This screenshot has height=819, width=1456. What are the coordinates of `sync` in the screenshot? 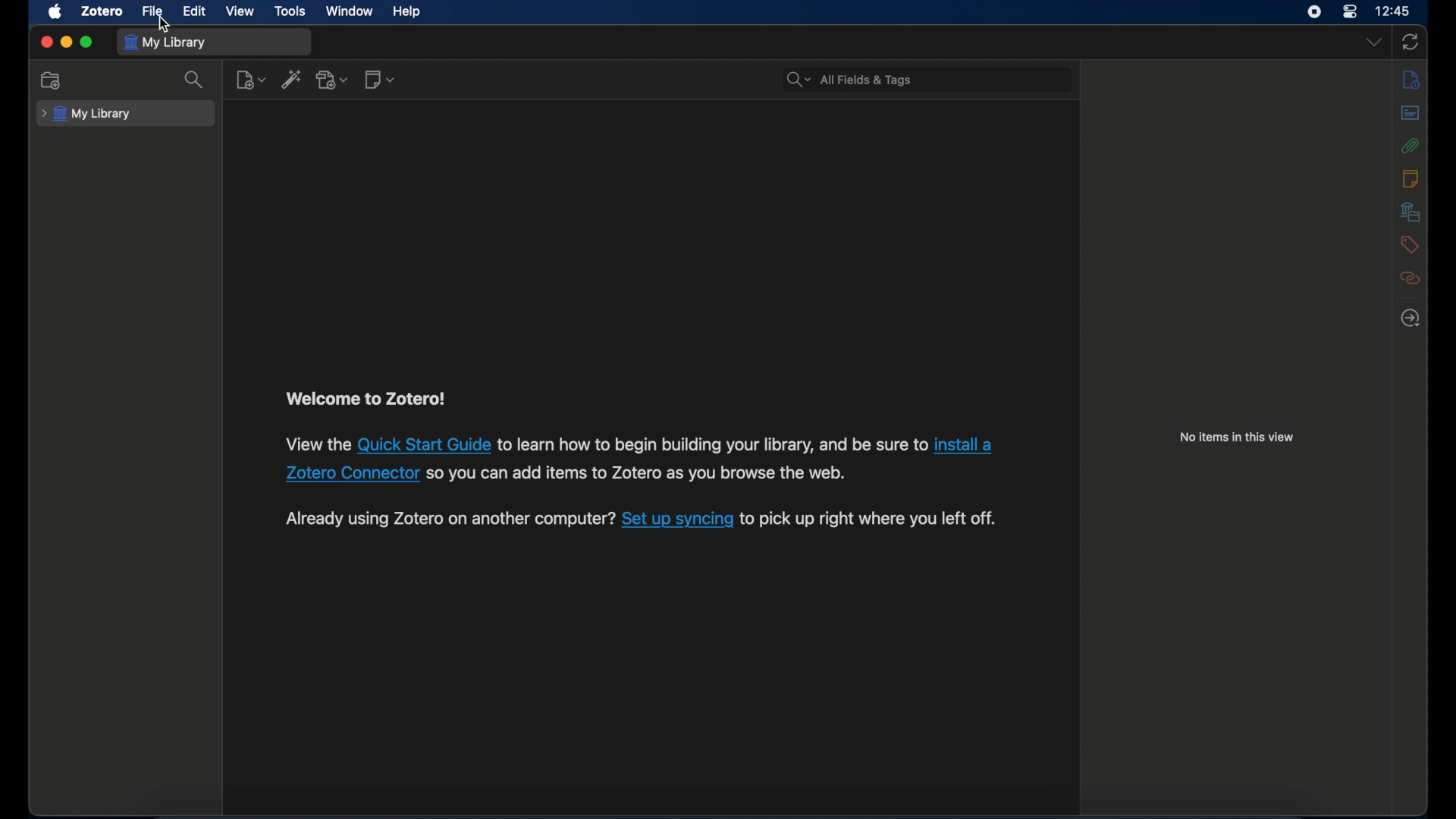 It's located at (1410, 42).